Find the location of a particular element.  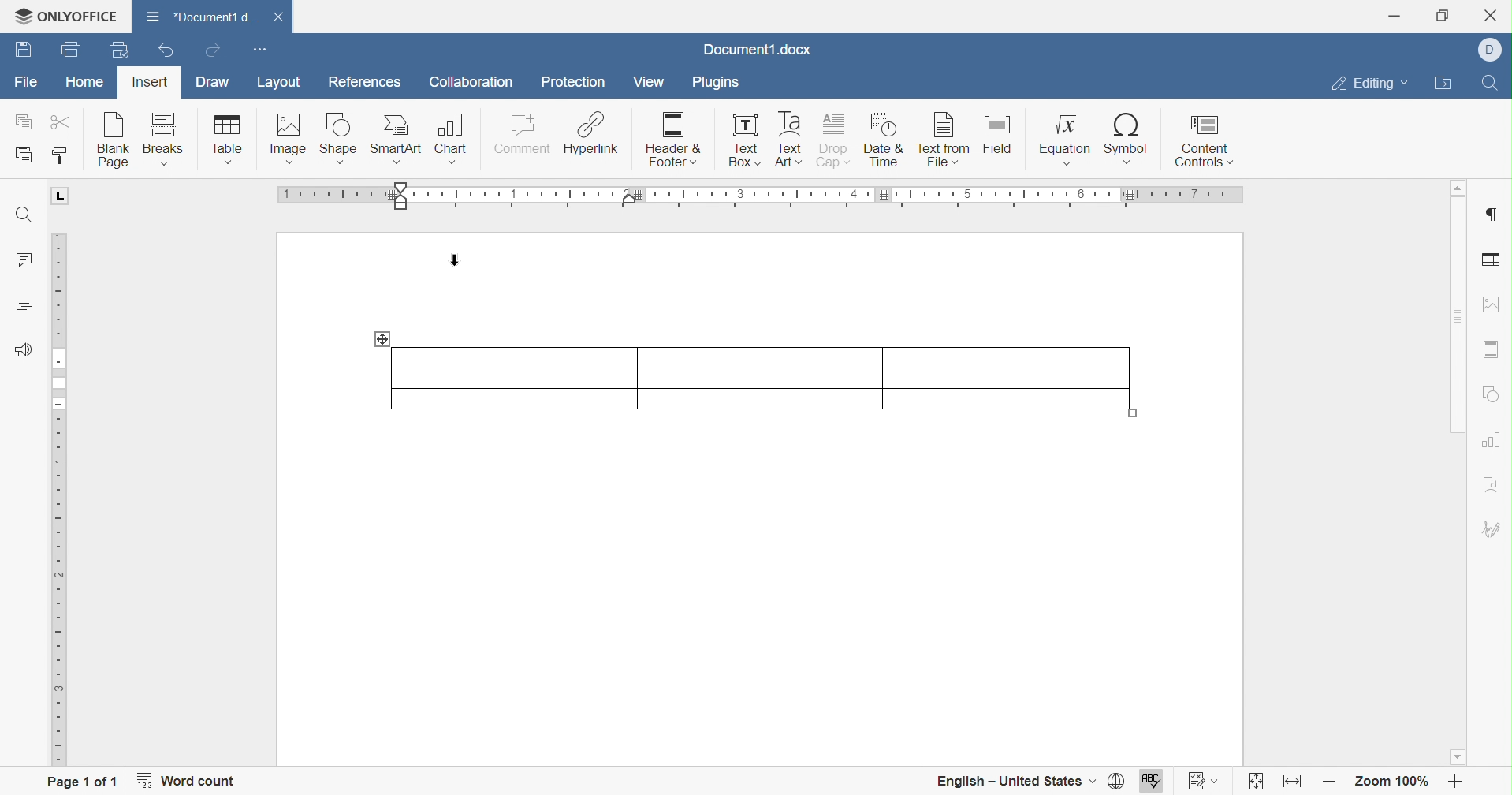

ONLYOFFICE is located at coordinates (72, 17).